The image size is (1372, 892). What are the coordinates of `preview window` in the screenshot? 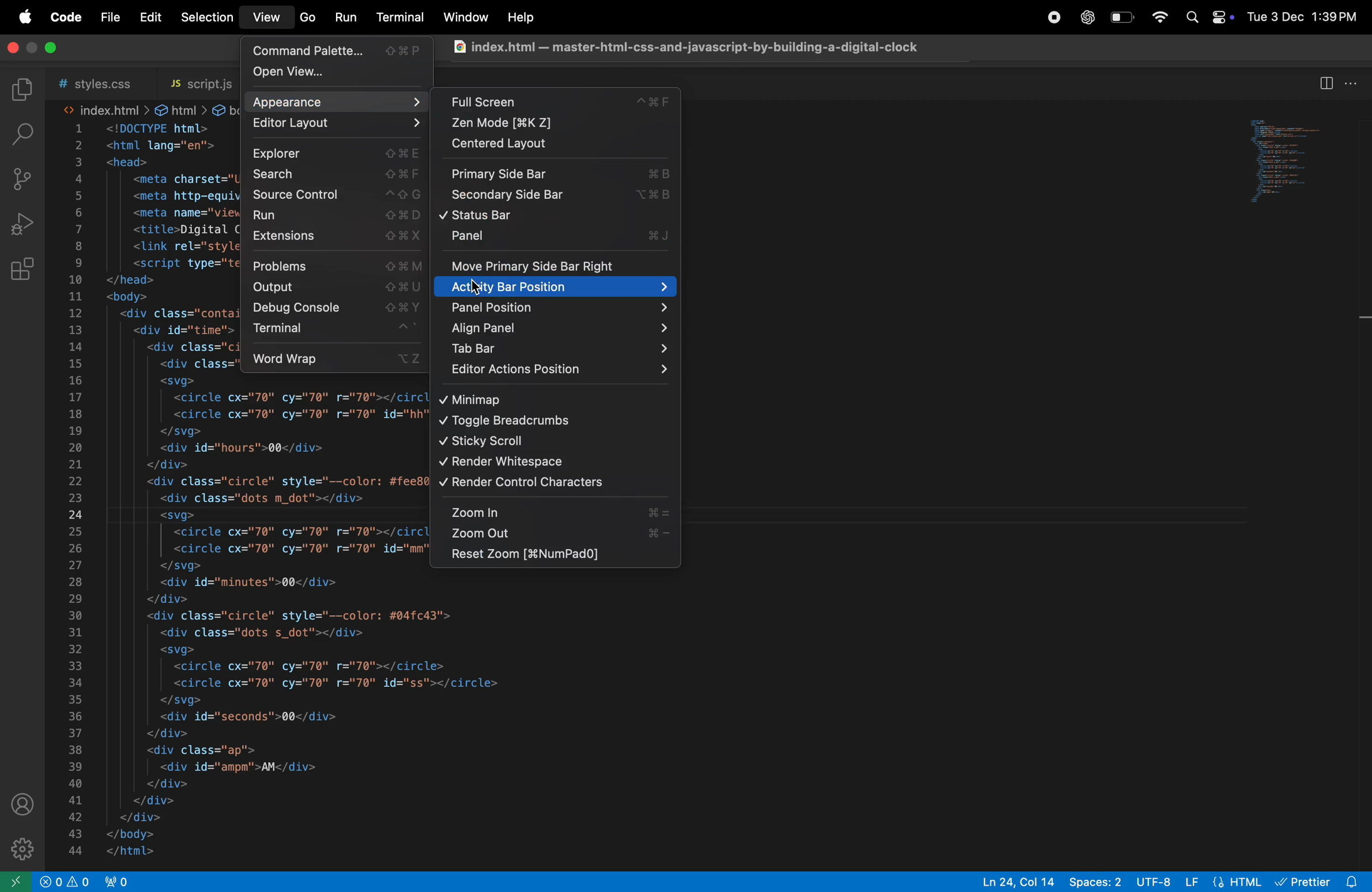 It's located at (1296, 167).